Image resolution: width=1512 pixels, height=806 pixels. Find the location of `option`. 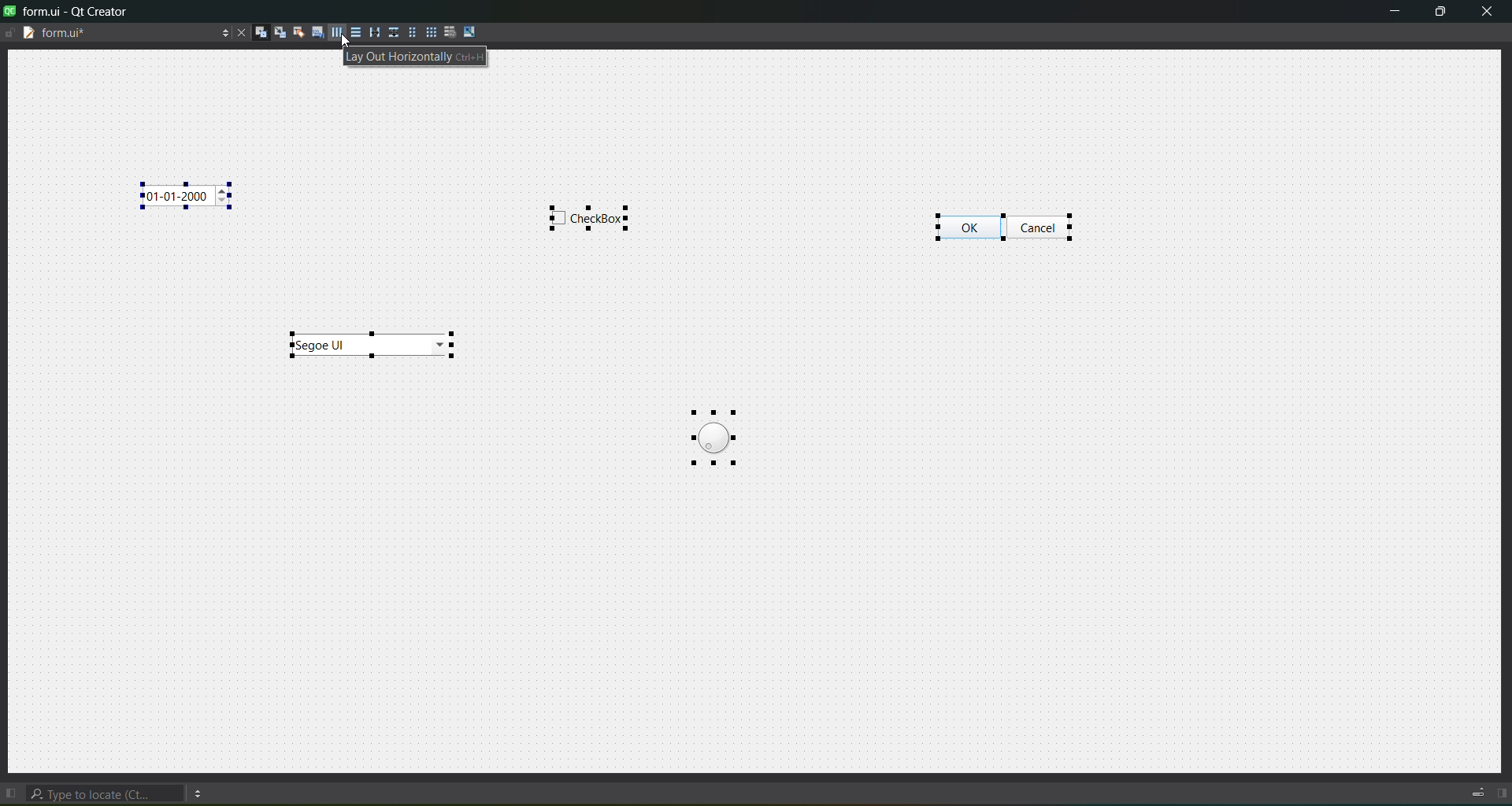

option is located at coordinates (201, 792).